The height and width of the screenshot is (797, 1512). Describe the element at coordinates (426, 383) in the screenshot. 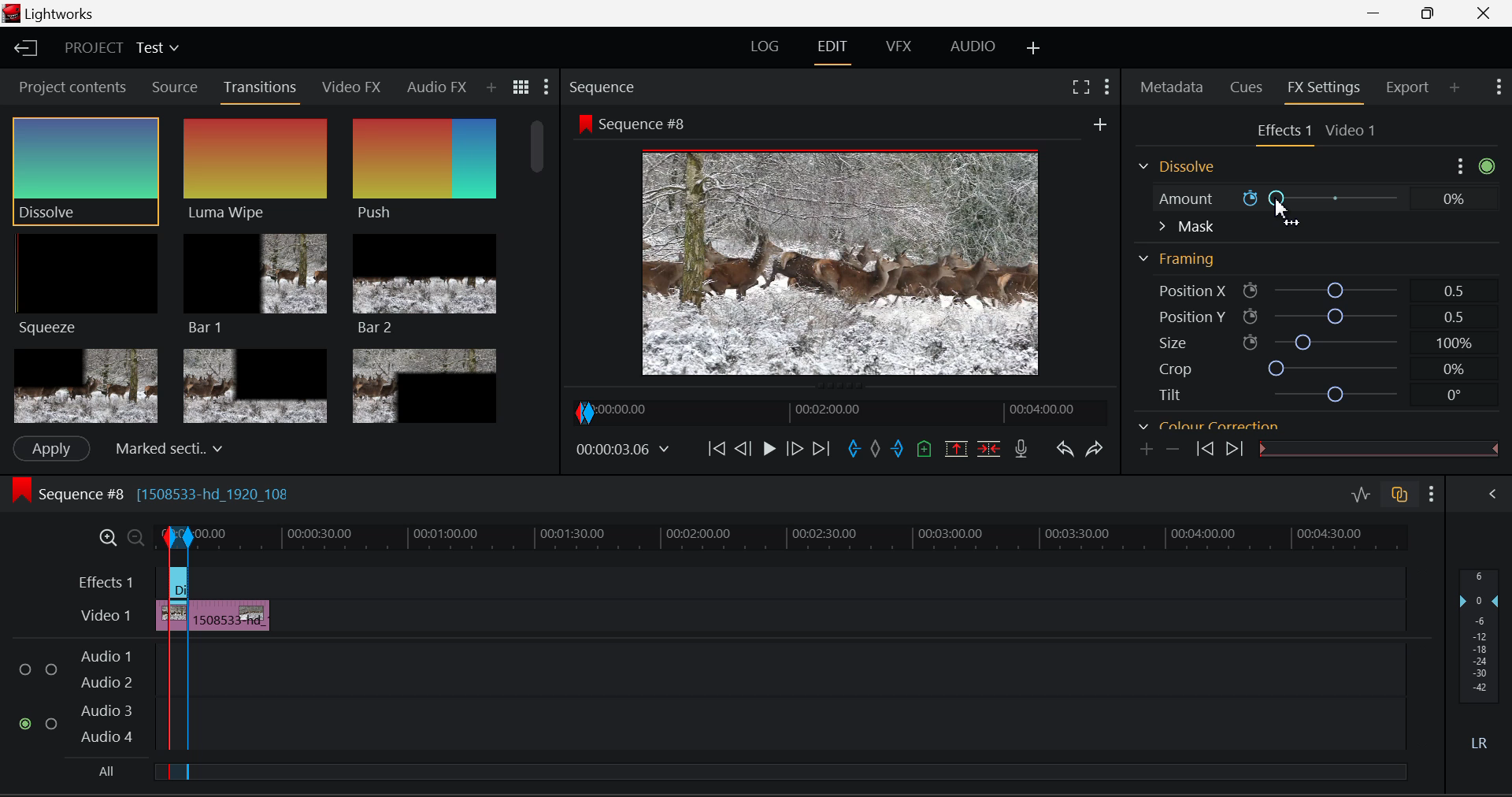

I see `Box 3` at that location.